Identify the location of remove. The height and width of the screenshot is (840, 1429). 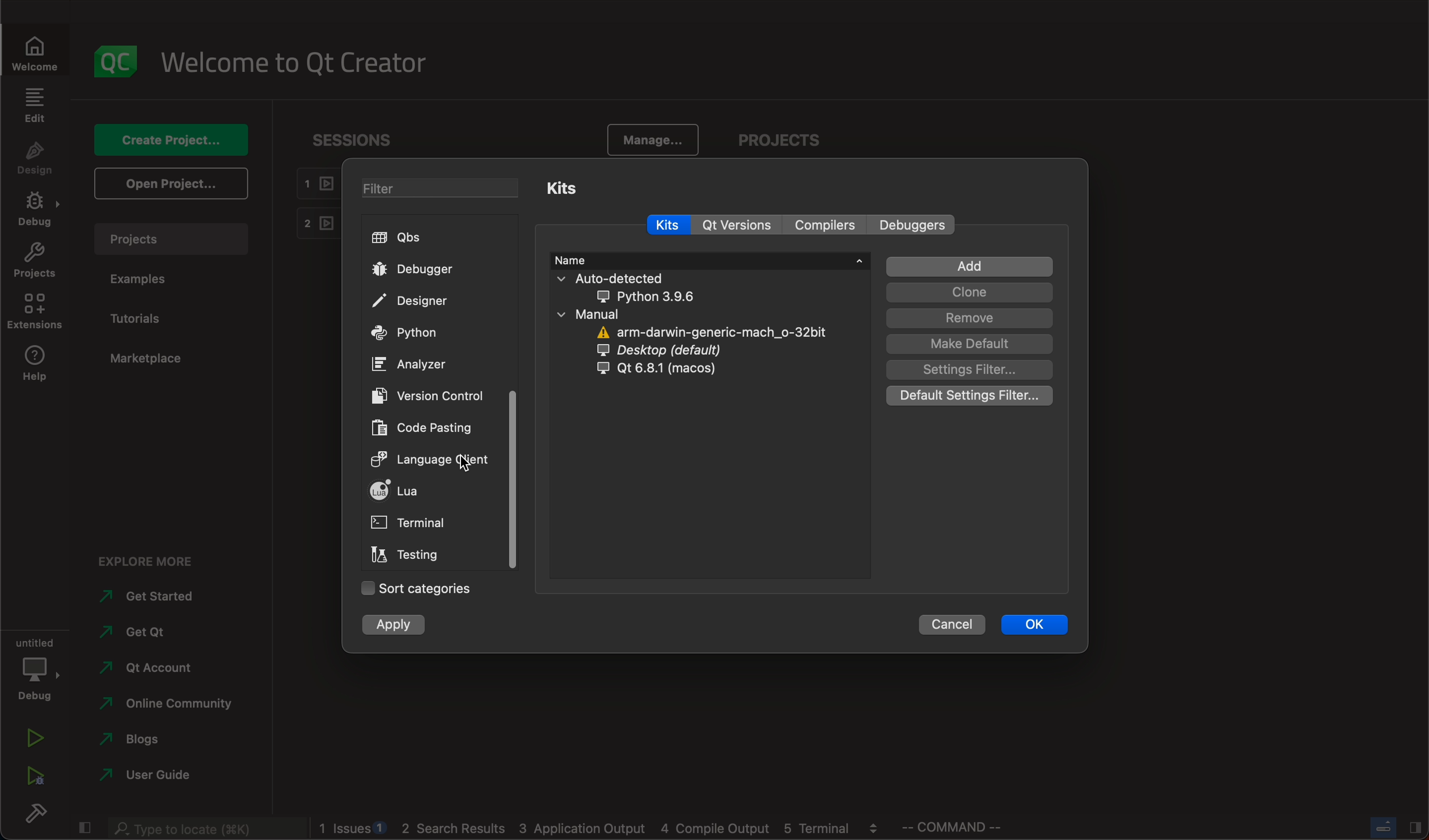
(968, 318).